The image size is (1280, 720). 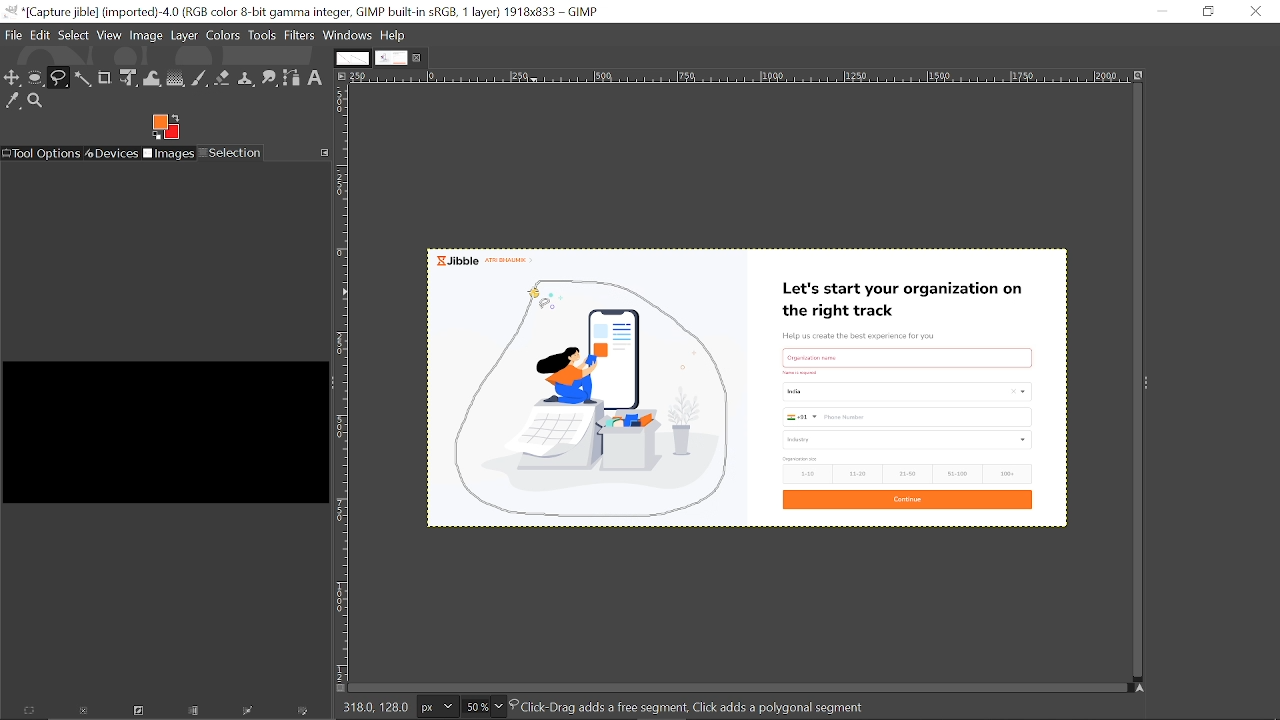 What do you see at coordinates (1255, 11) in the screenshot?
I see `Close` at bounding box center [1255, 11].